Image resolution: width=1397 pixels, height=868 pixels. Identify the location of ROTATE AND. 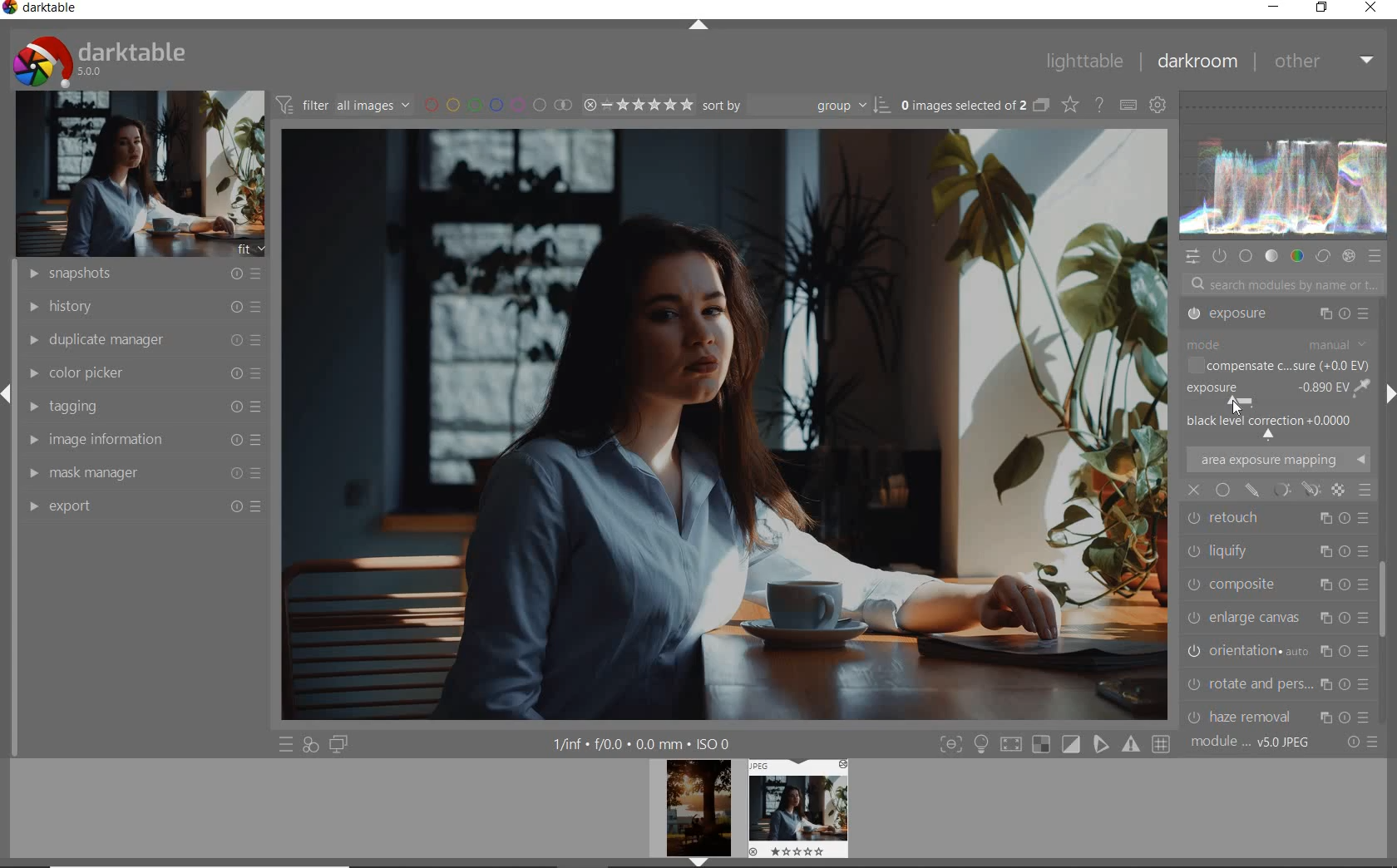
(1275, 582).